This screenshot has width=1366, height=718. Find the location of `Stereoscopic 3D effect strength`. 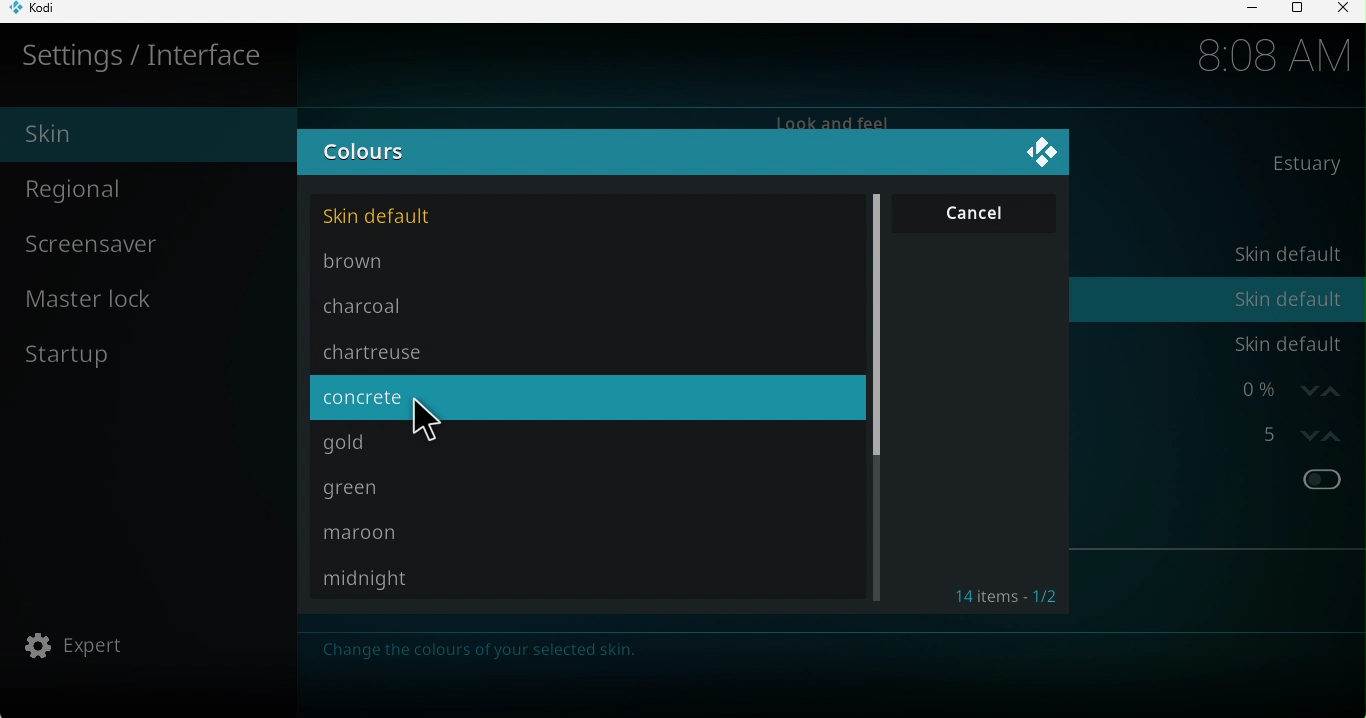

Stereoscopic 3D effect strength is located at coordinates (1216, 435).